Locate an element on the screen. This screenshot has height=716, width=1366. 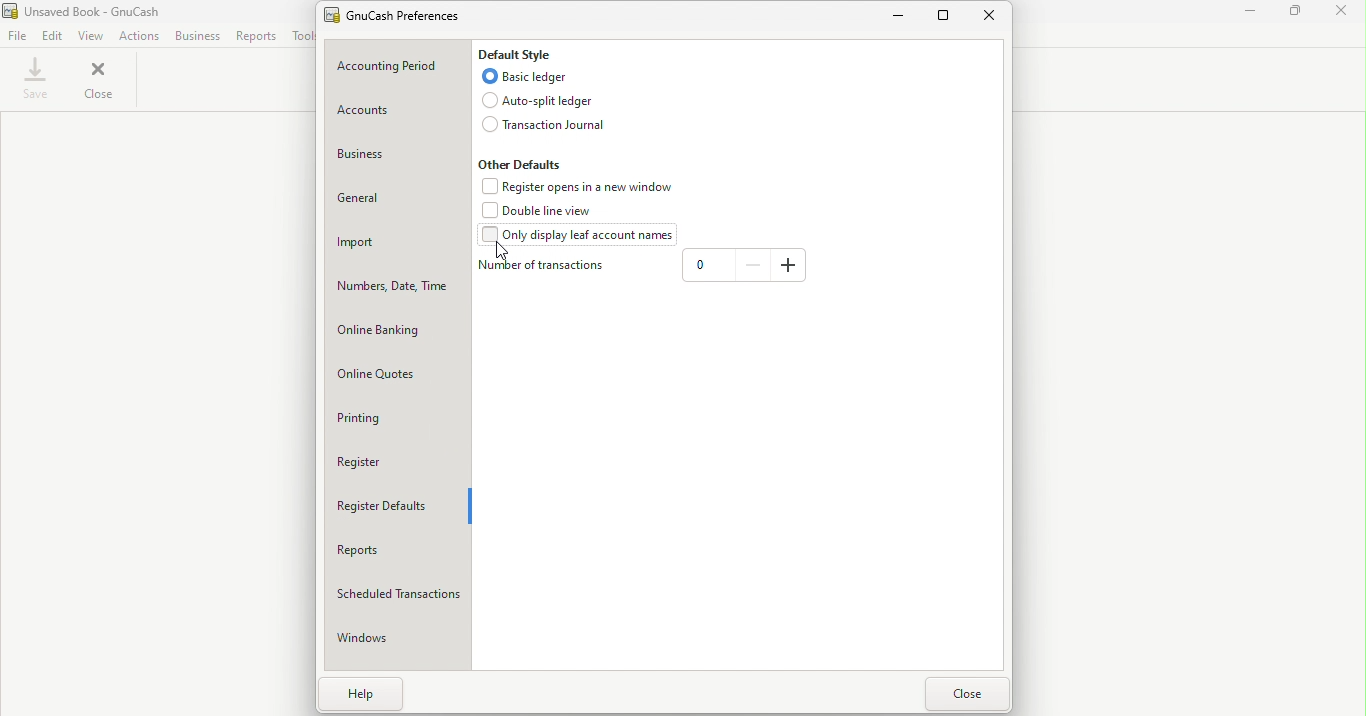
Double line view is located at coordinates (544, 211).